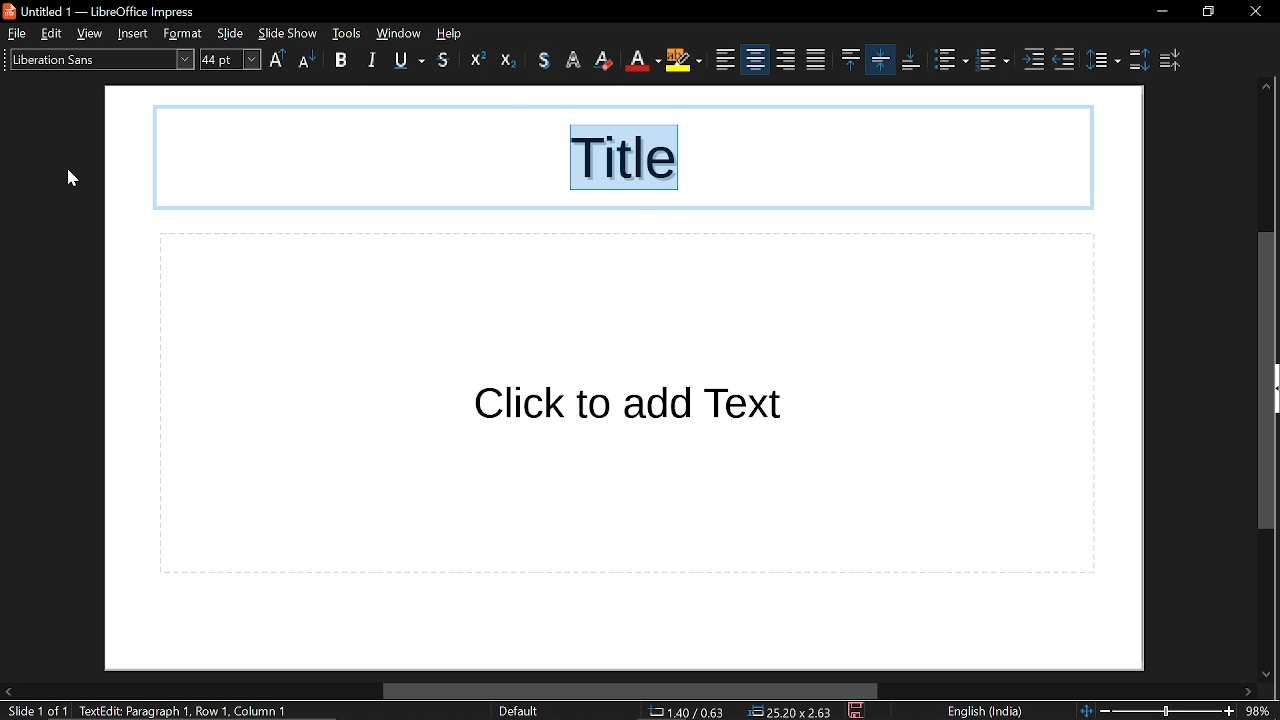 The width and height of the screenshot is (1280, 720). Describe the element at coordinates (1138, 58) in the screenshot. I see `increase paragraph spacing` at that location.